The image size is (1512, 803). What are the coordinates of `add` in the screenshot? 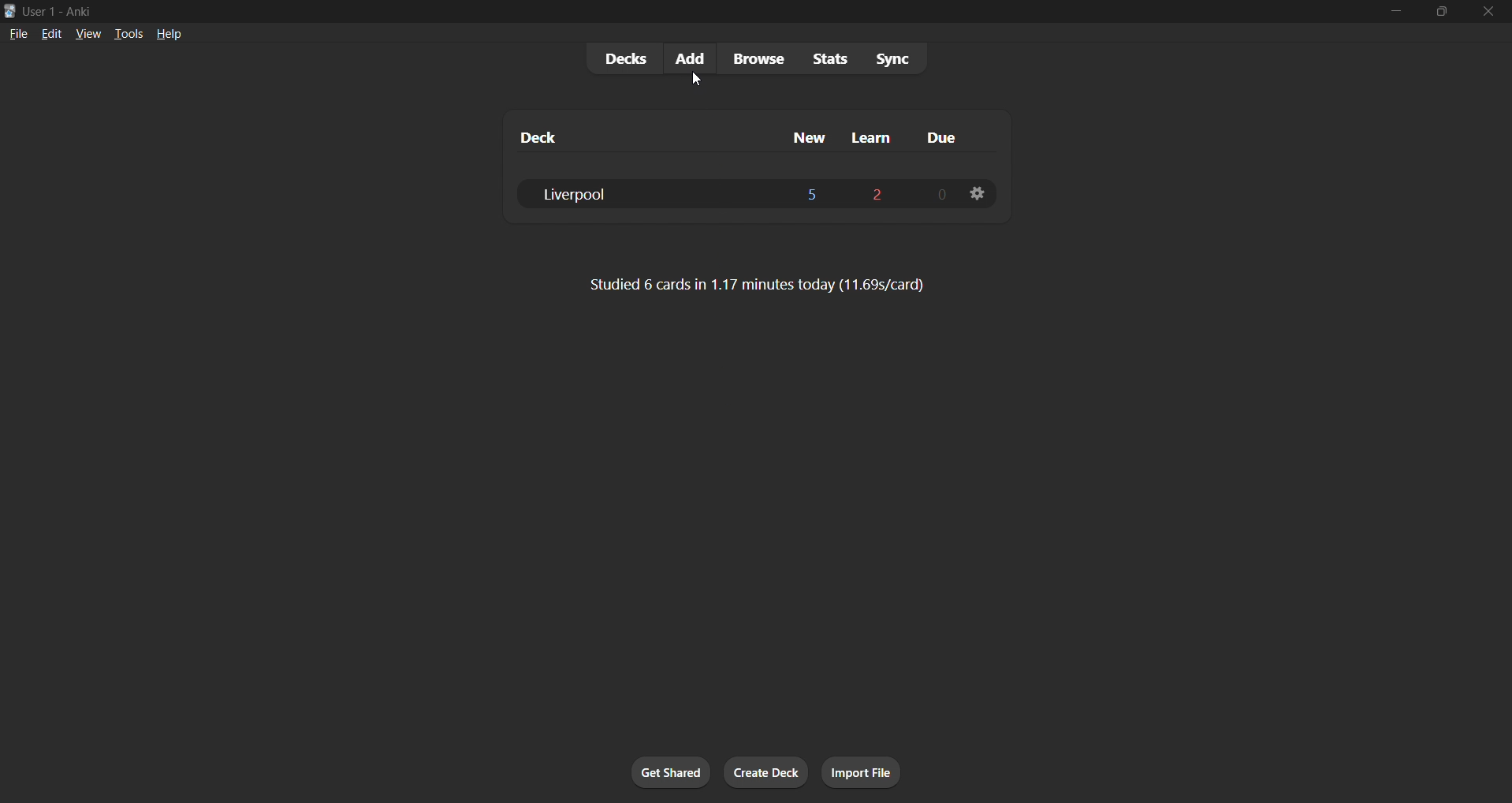 It's located at (695, 59).